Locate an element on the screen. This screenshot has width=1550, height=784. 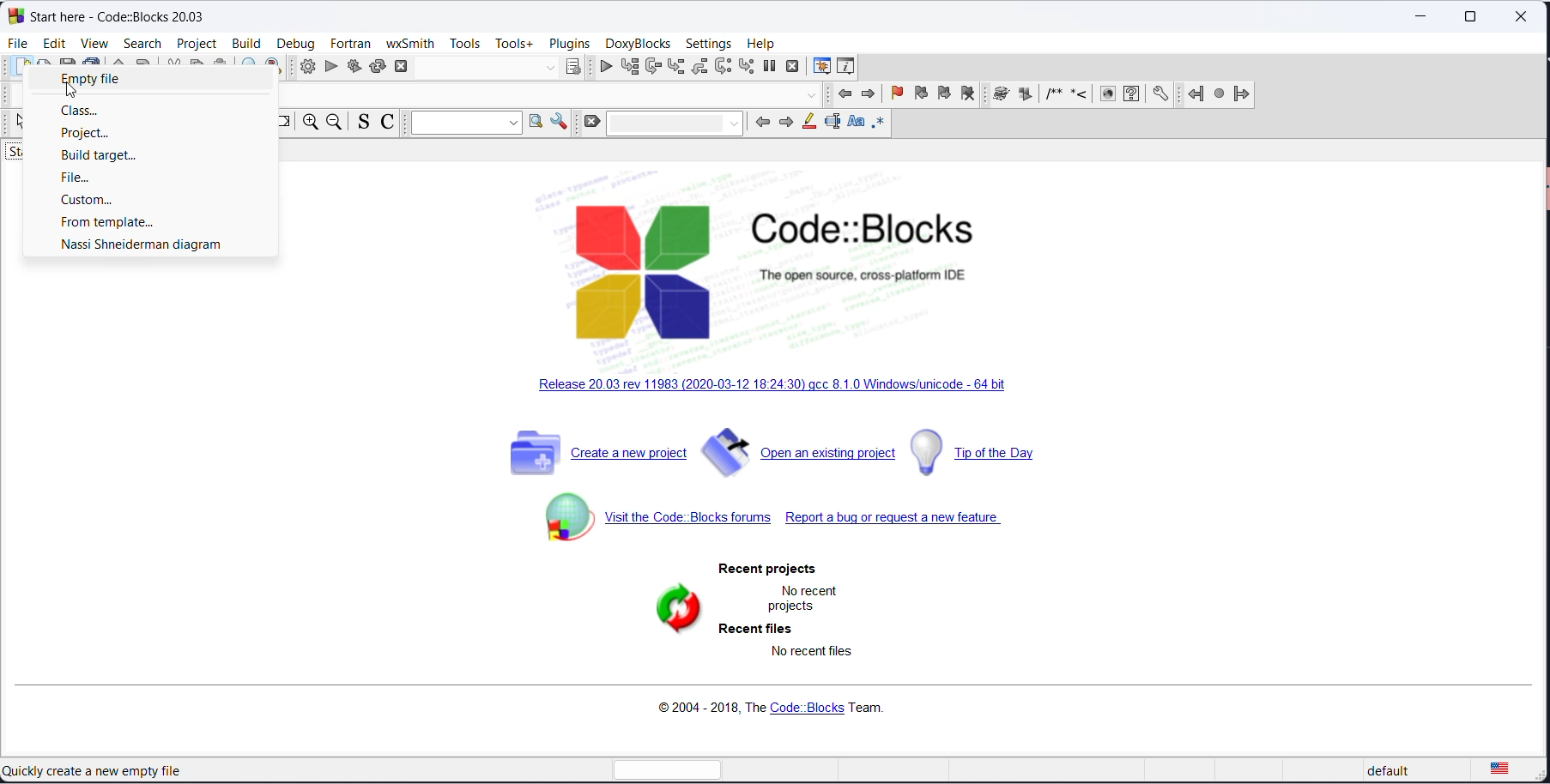
option window is located at coordinates (560, 124).